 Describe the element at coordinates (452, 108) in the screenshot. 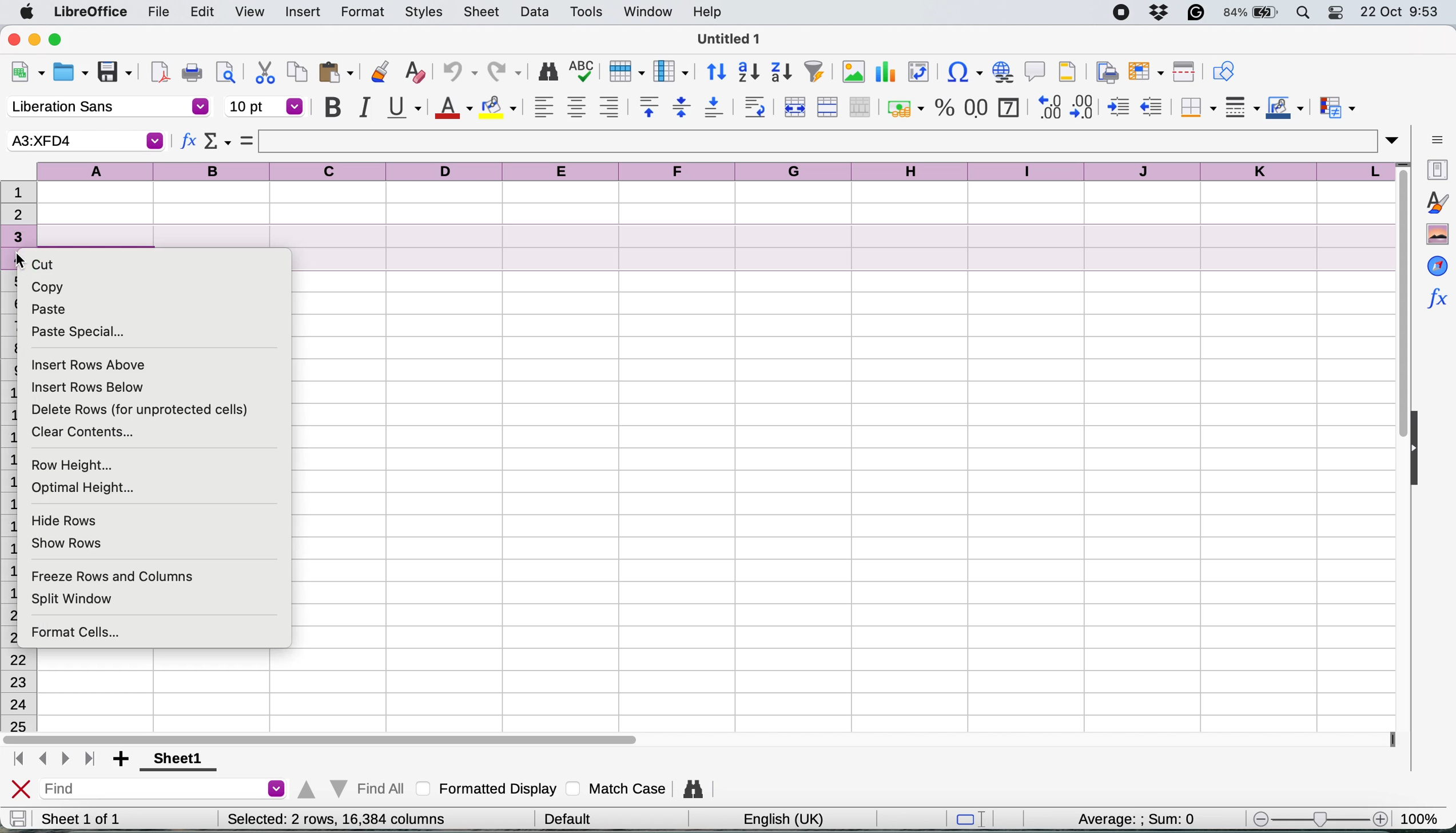

I see `text color` at that location.